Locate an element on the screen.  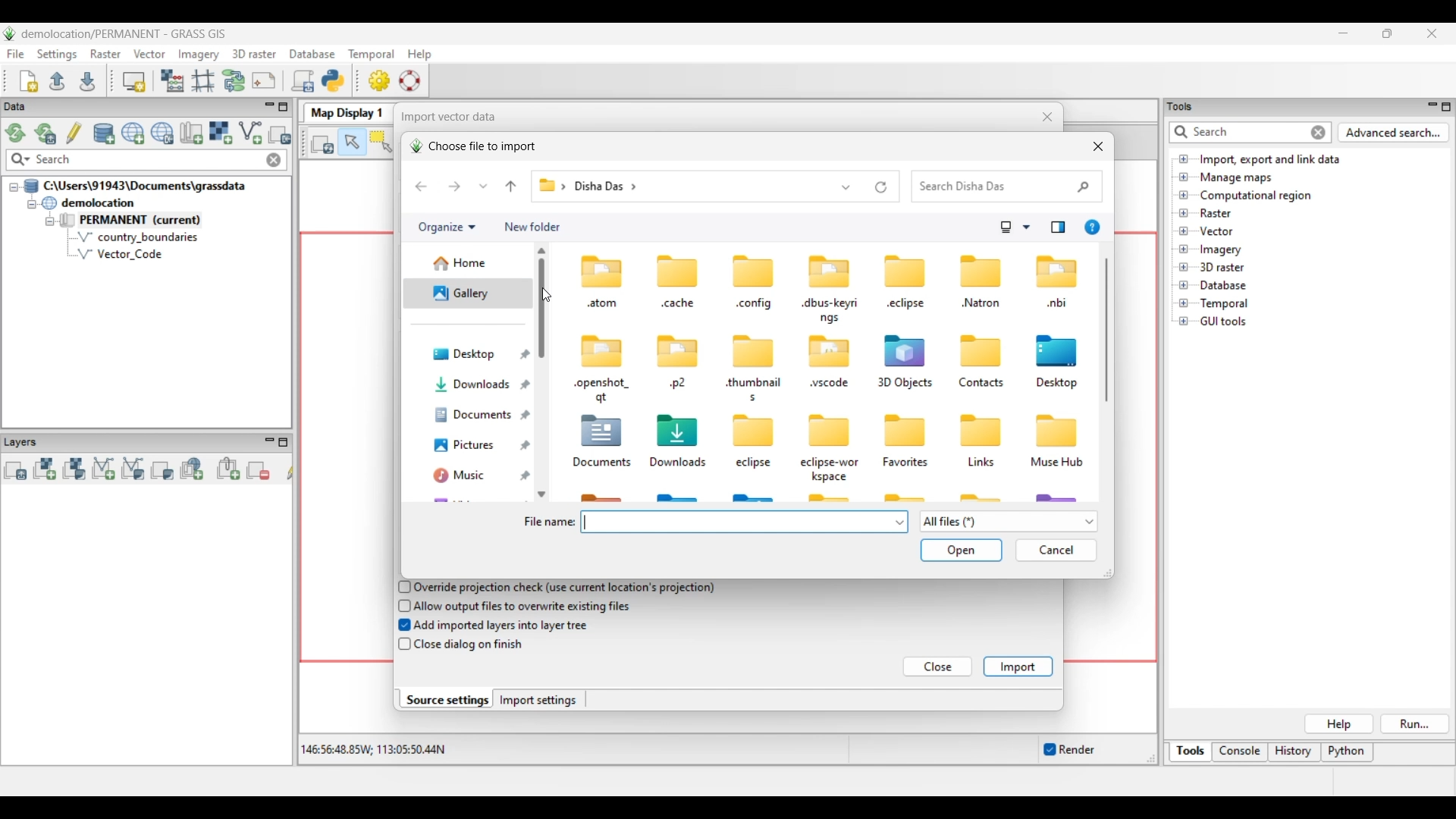
GRASS manual is located at coordinates (409, 80).